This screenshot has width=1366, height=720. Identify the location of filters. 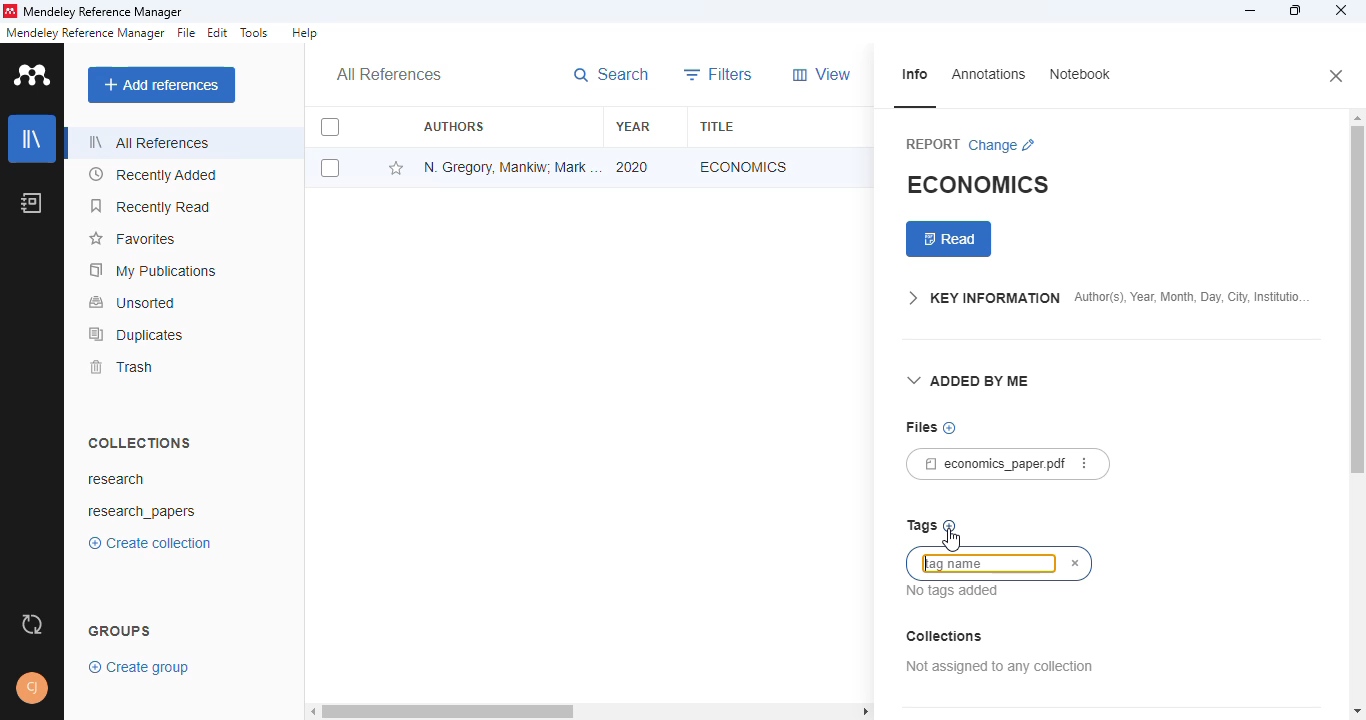
(719, 75).